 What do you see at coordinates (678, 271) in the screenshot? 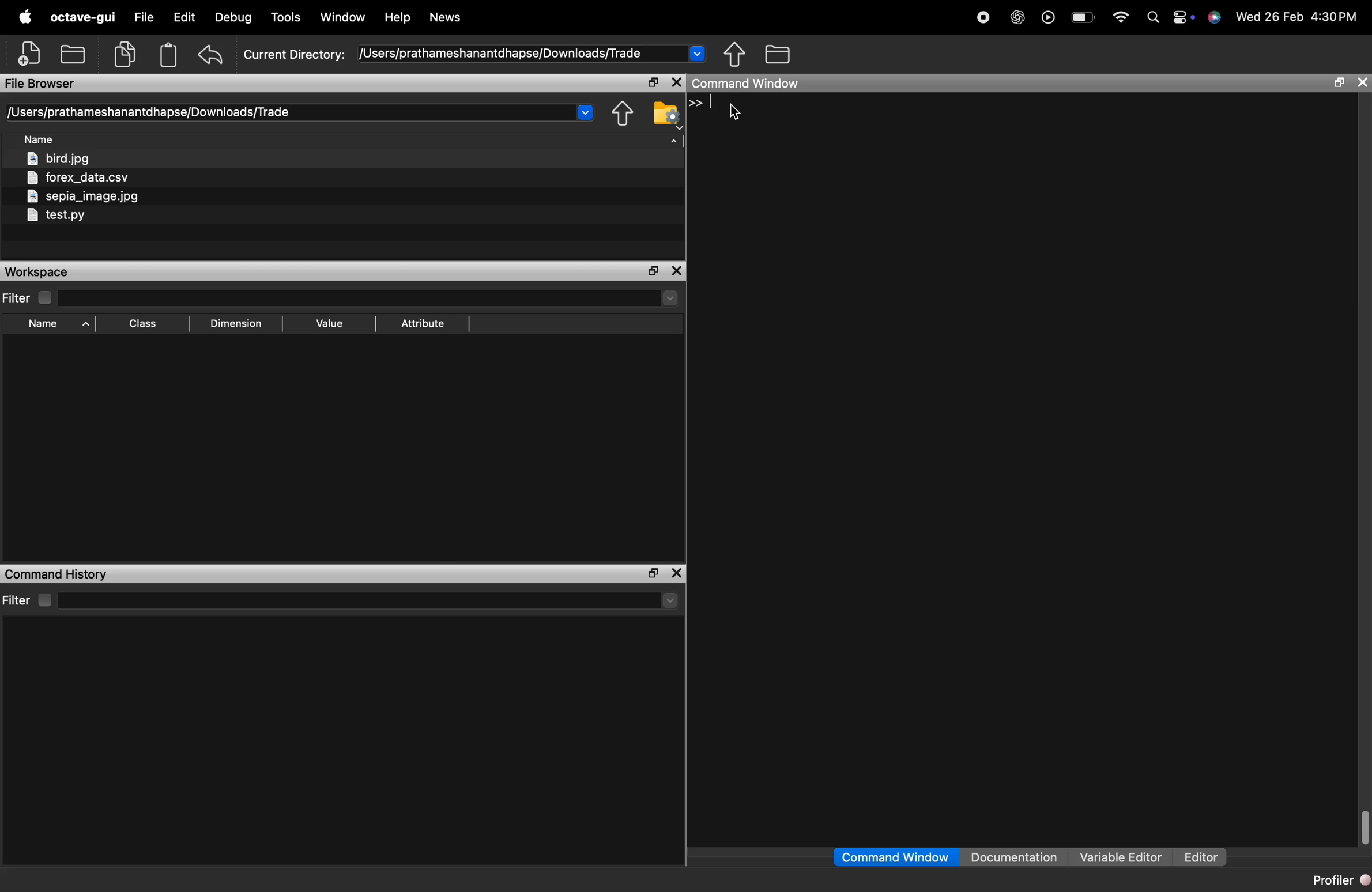
I see `close` at bounding box center [678, 271].